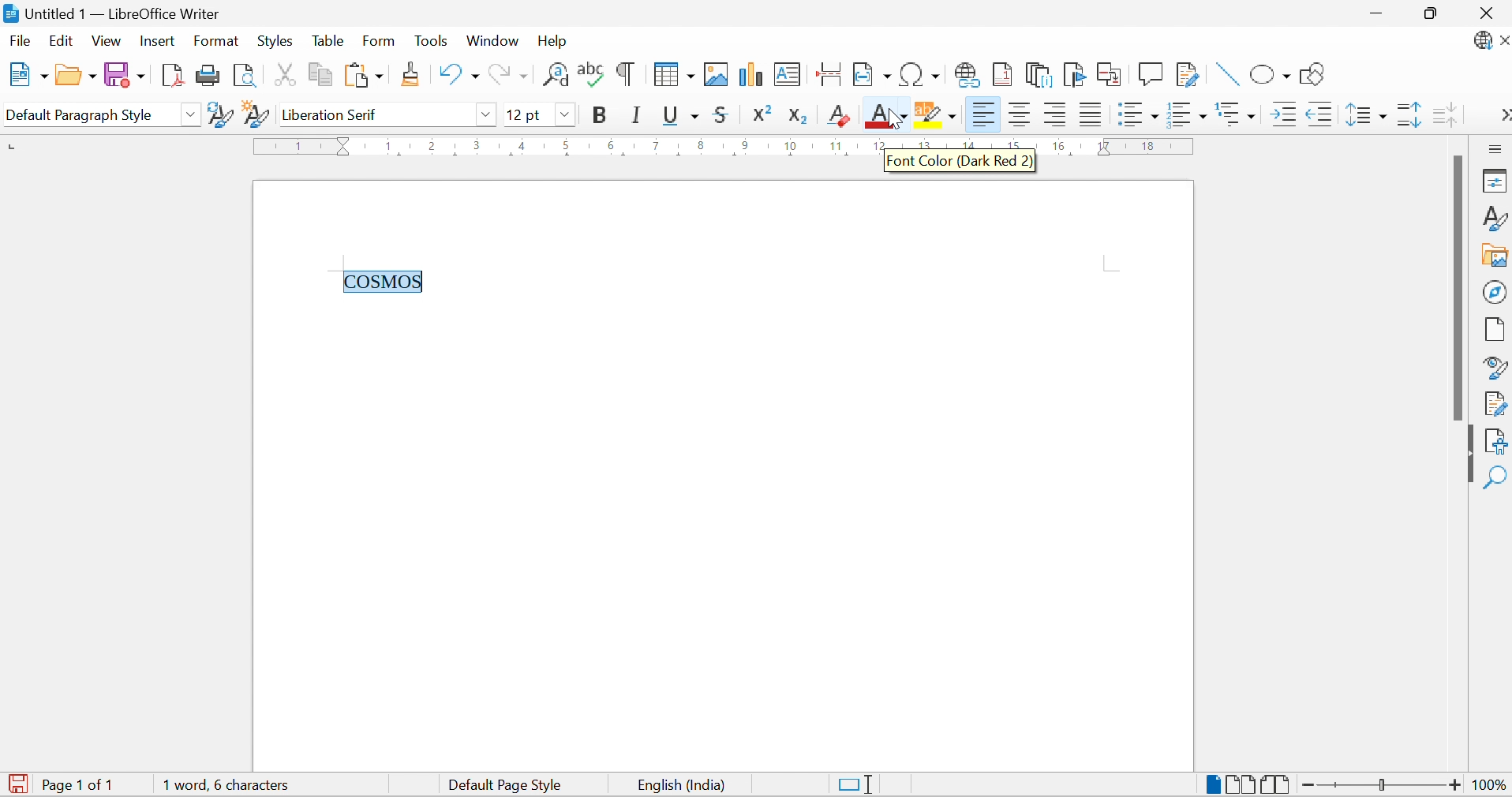  I want to click on Navigator, so click(1495, 291).